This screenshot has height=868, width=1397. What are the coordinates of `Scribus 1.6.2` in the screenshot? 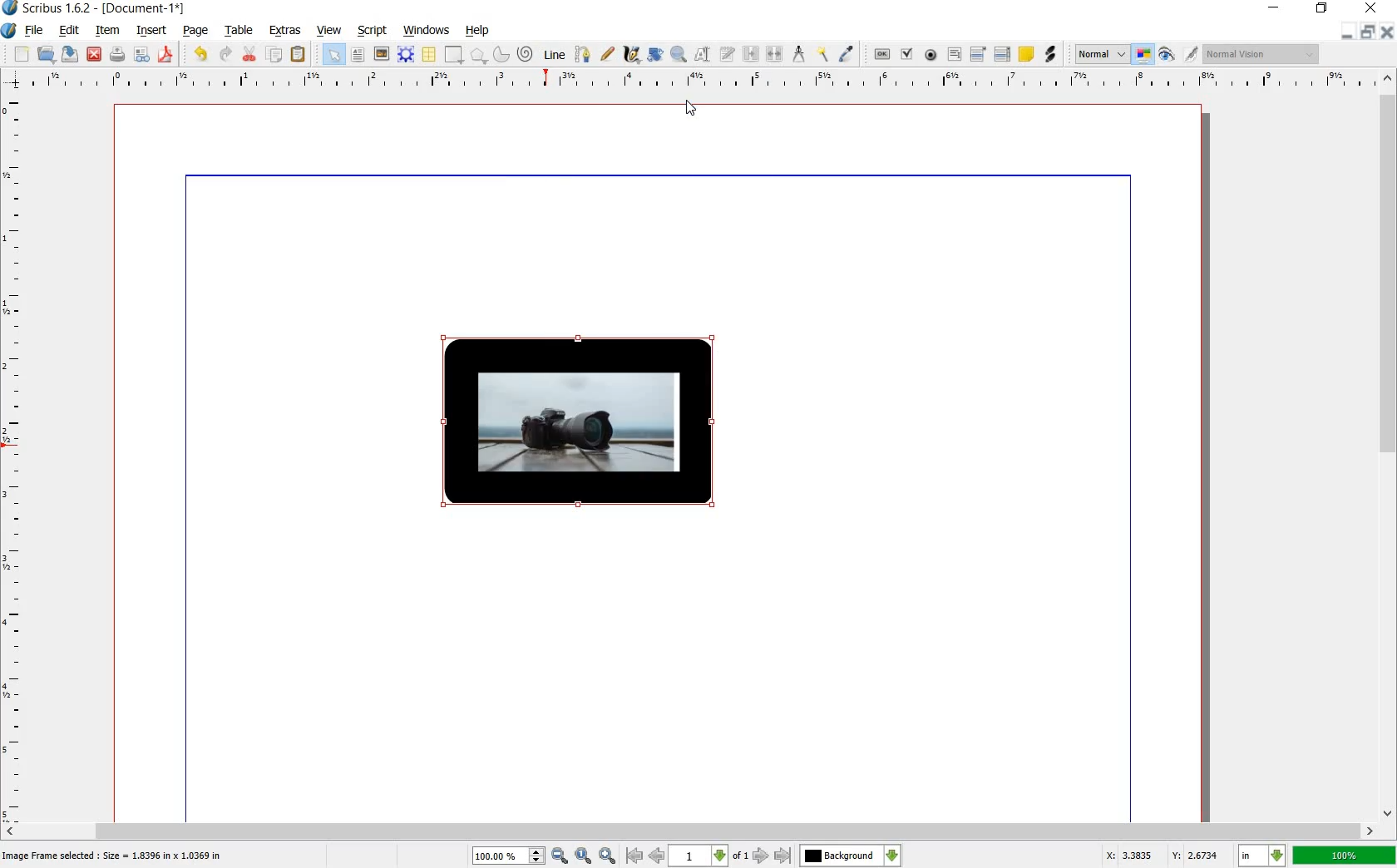 It's located at (47, 8).